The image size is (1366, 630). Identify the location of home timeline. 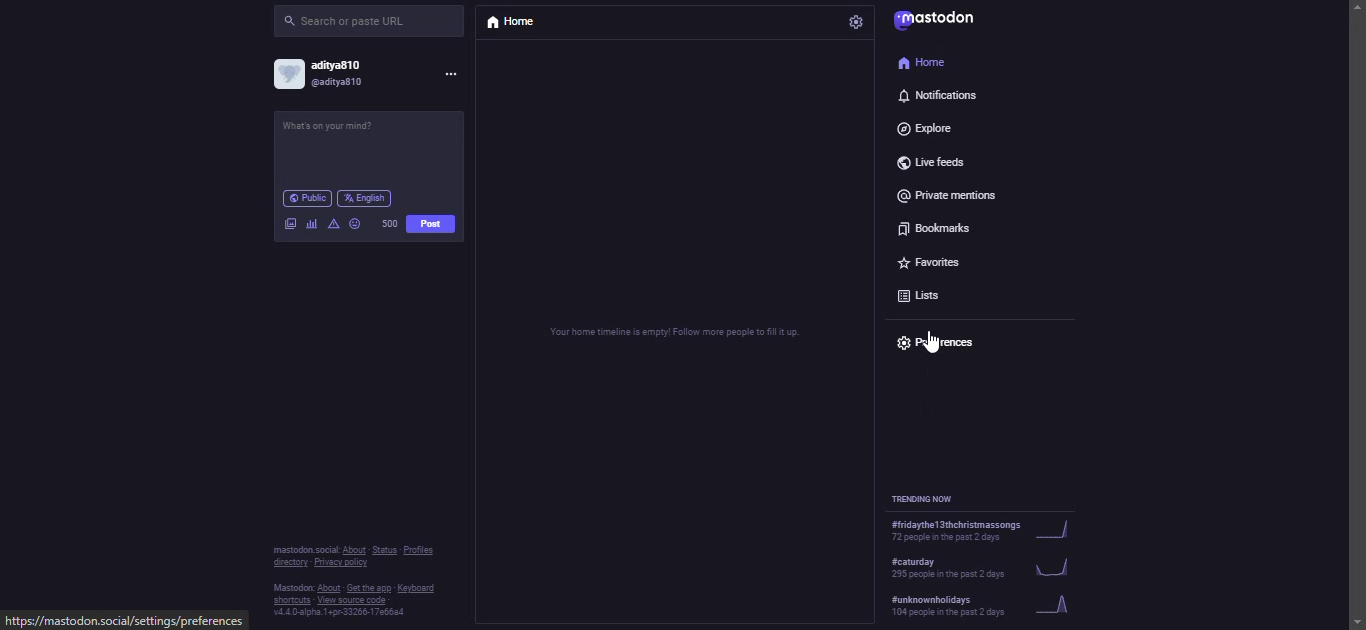
(676, 334).